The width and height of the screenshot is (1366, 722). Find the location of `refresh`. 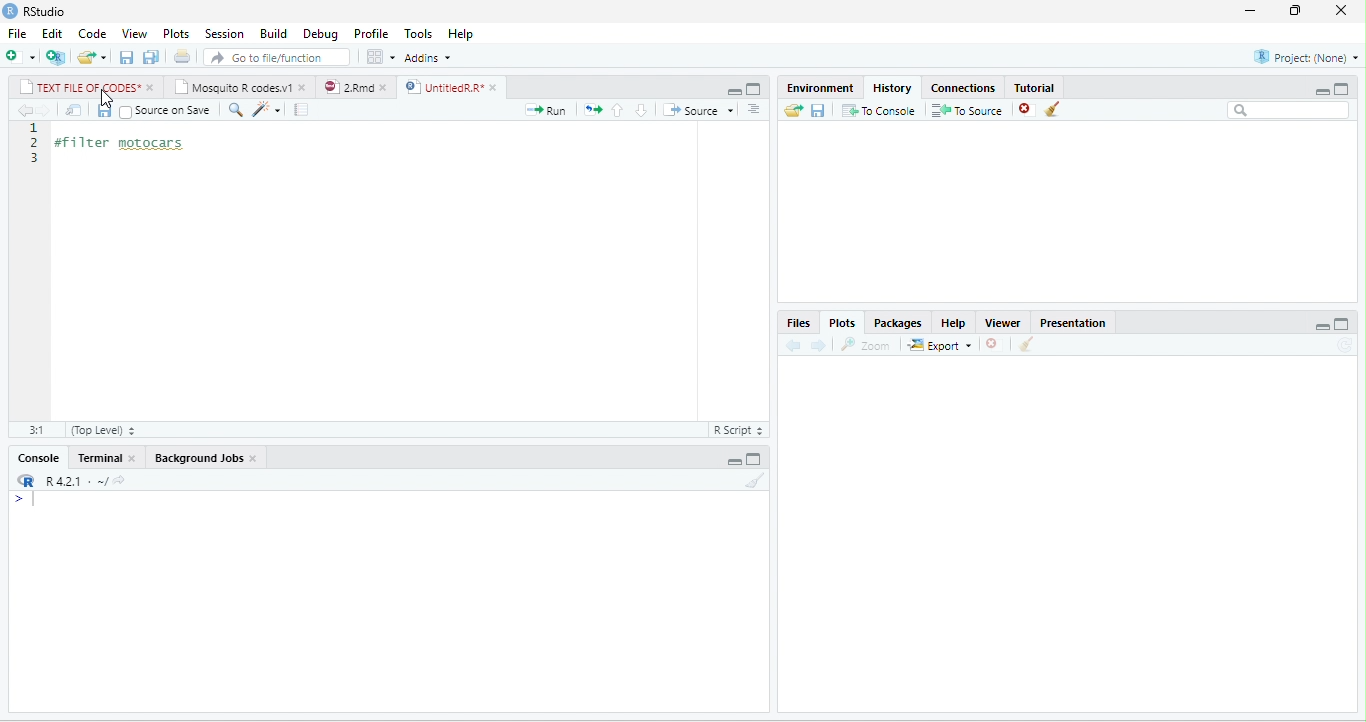

refresh is located at coordinates (1345, 345).